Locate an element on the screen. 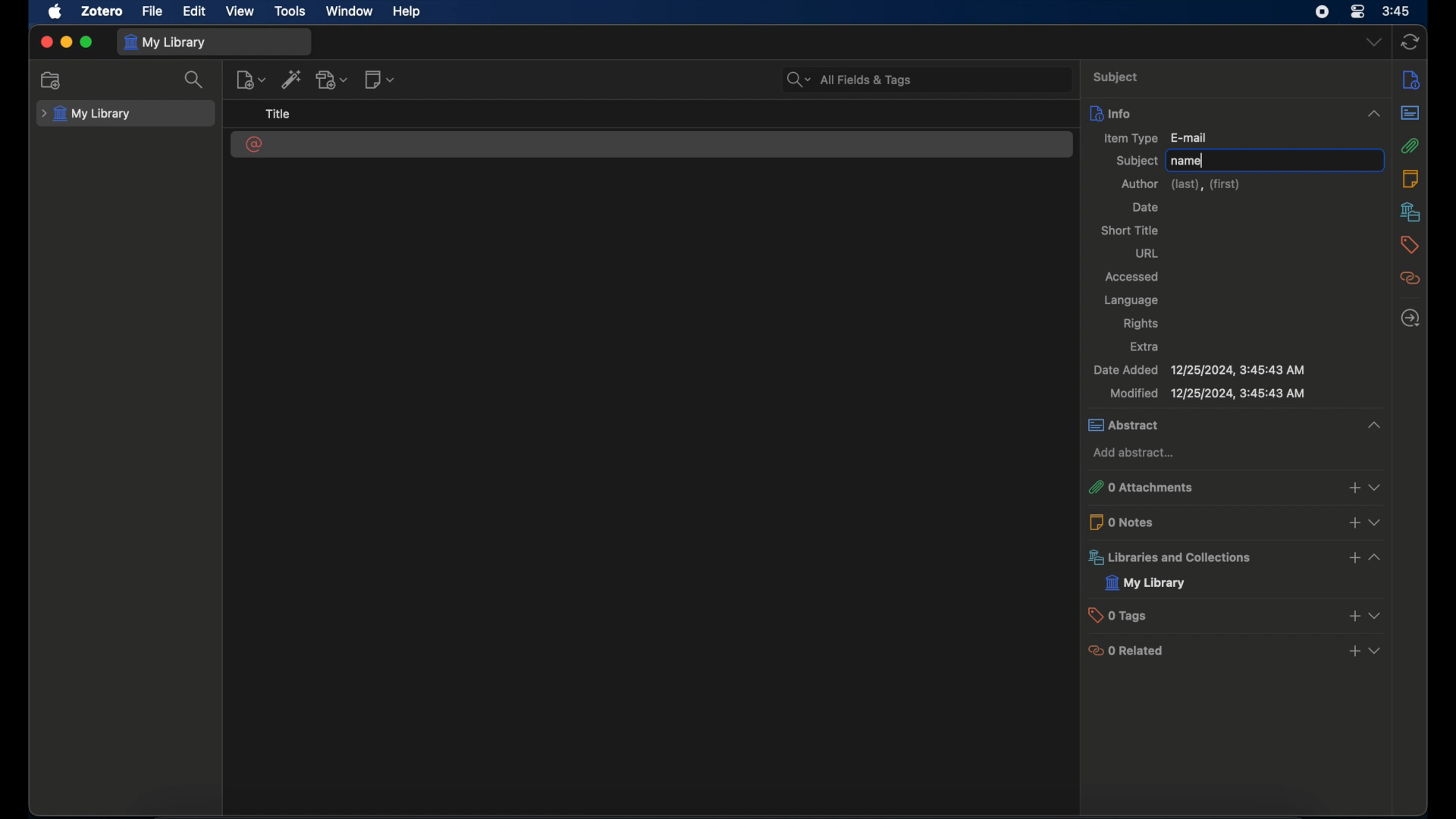 This screenshot has height=819, width=1456. file is located at coordinates (153, 12).